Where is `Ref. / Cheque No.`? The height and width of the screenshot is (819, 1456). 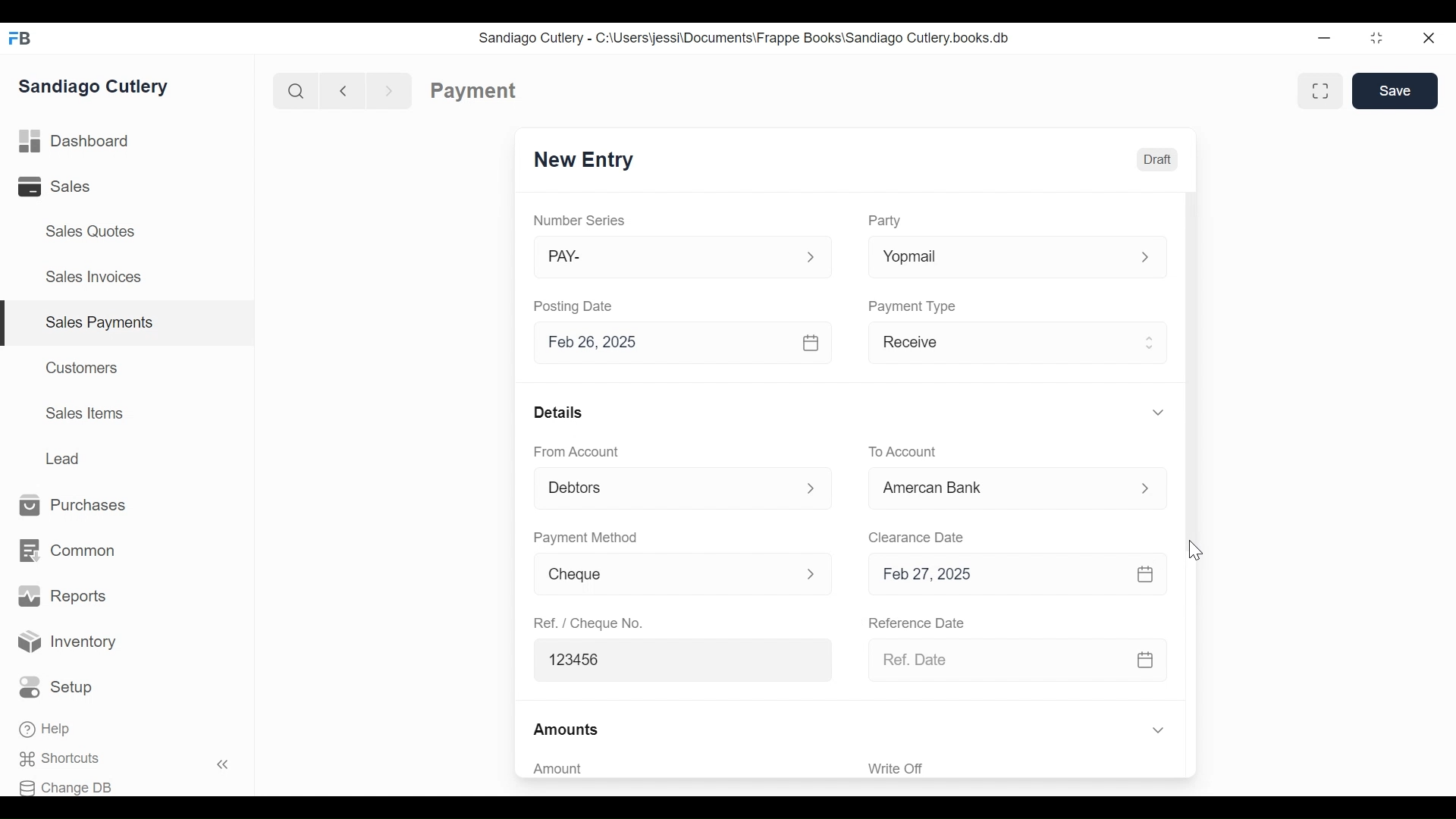 Ref. / Cheque No. is located at coordinates (587, 622).